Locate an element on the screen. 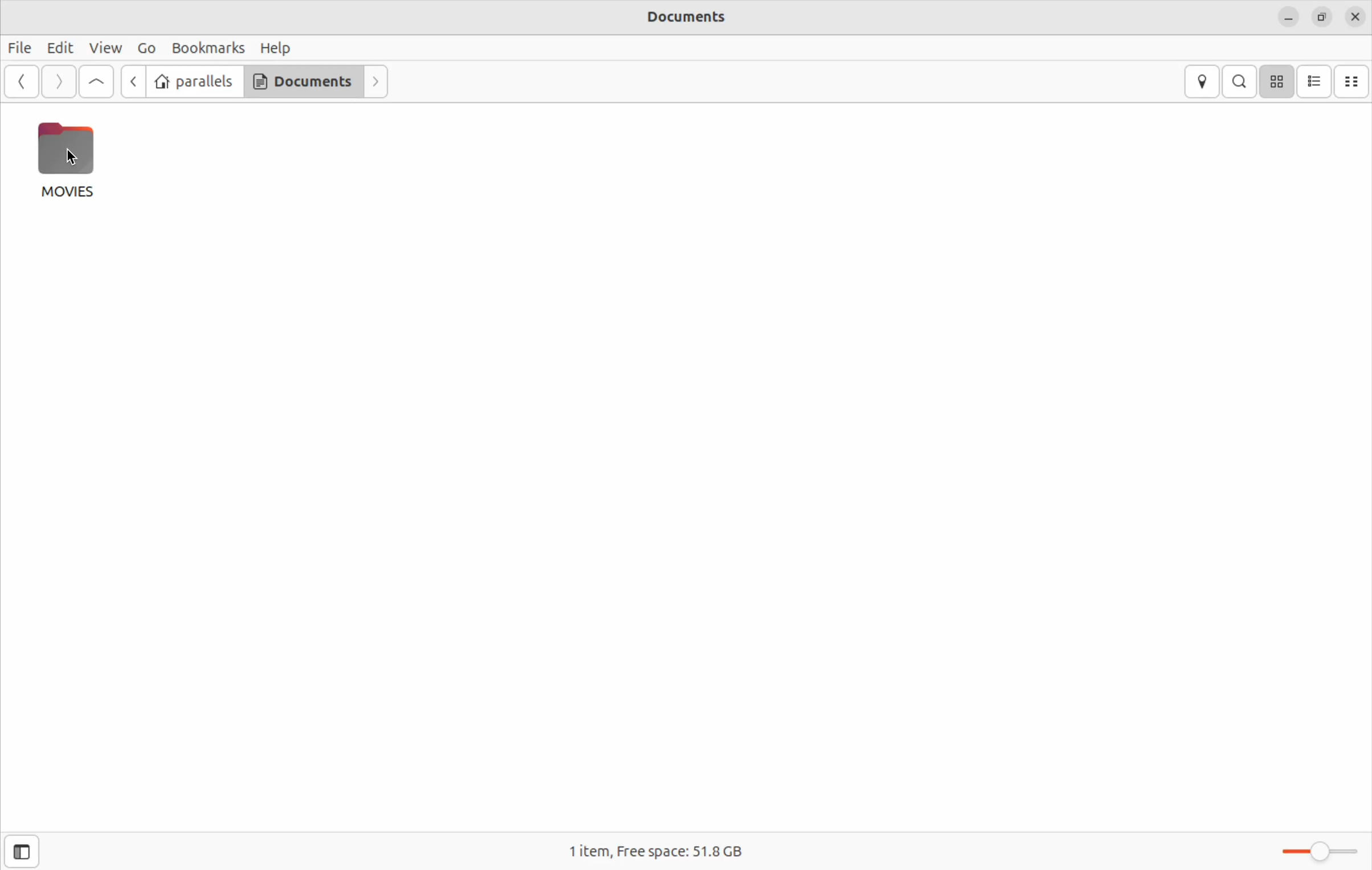 The width and height of the screenshot is (1372, 870). MOVIES is located at coordinates (74, 161).